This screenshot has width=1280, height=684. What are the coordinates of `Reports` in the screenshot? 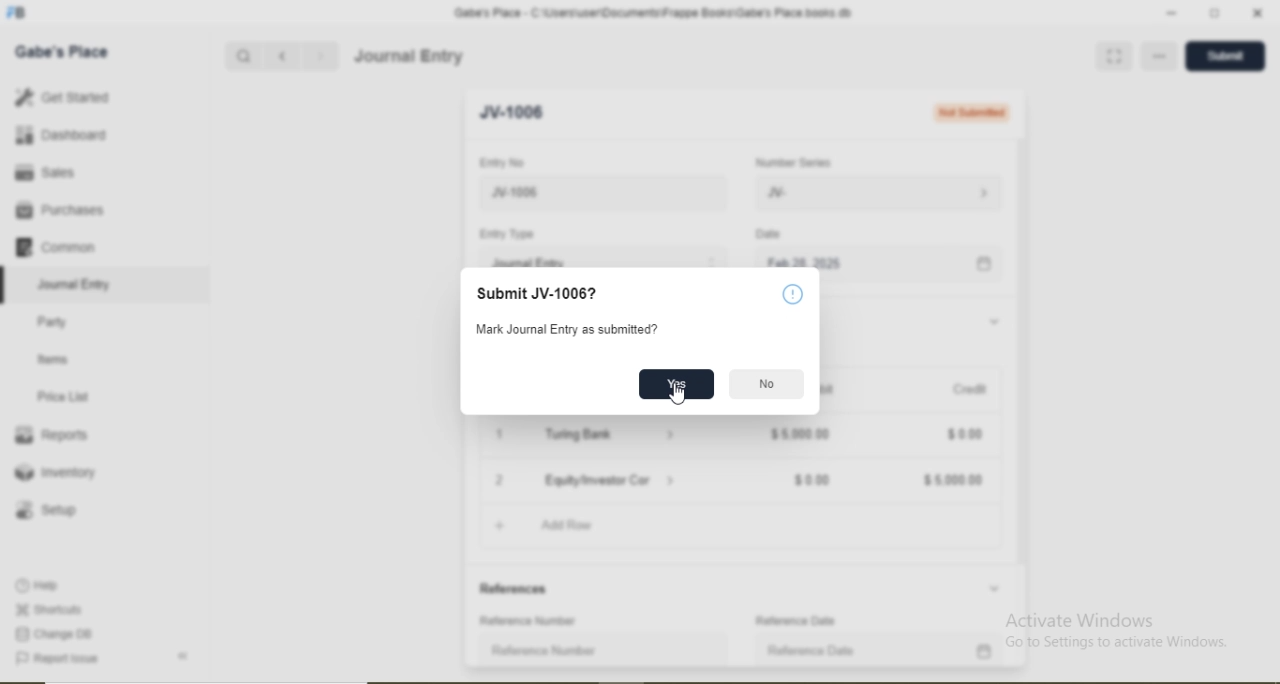 It's located at (51, 435).